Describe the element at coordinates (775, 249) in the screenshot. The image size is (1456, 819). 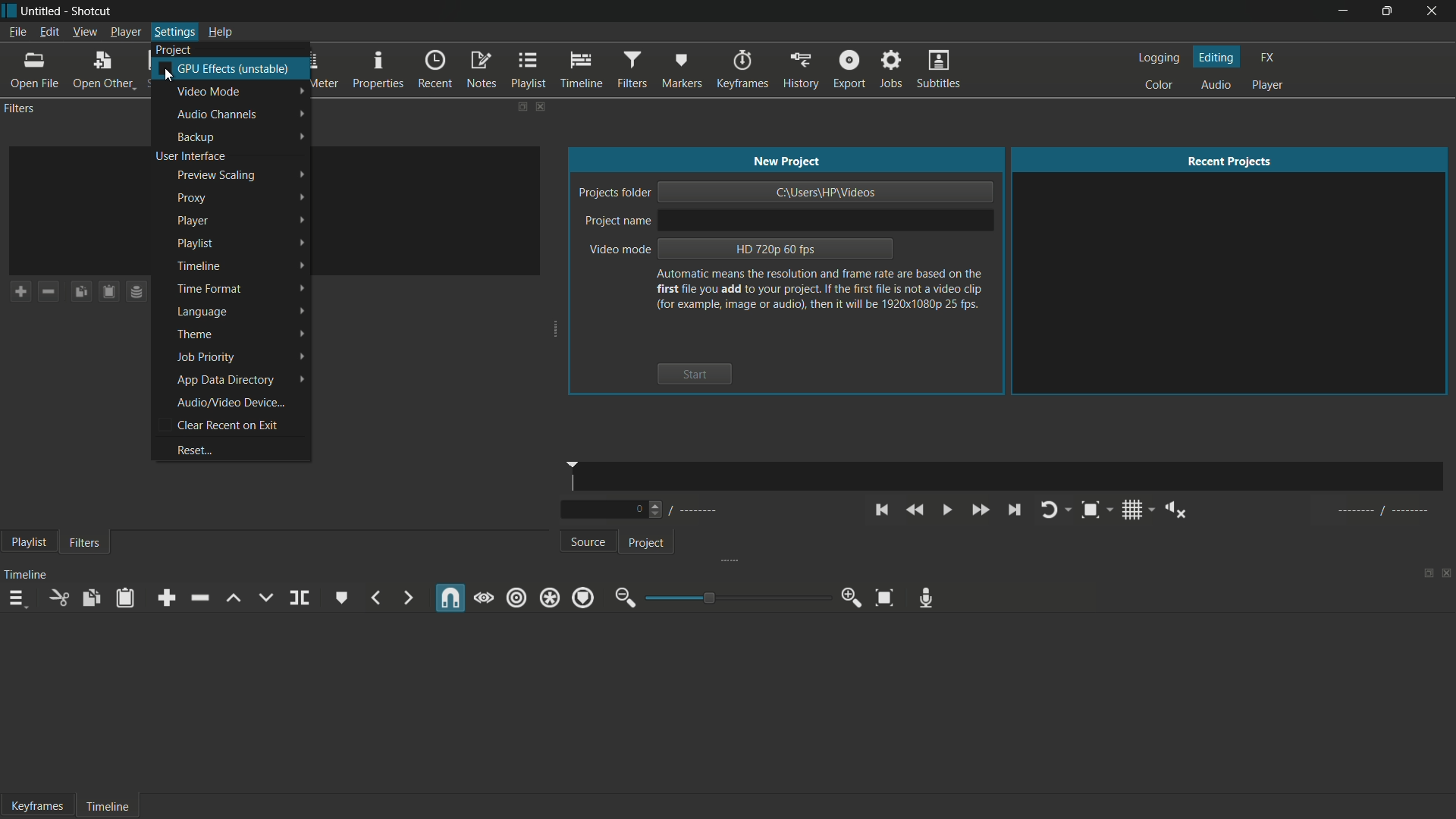
I see `hd 720p 60 fps` at that location.